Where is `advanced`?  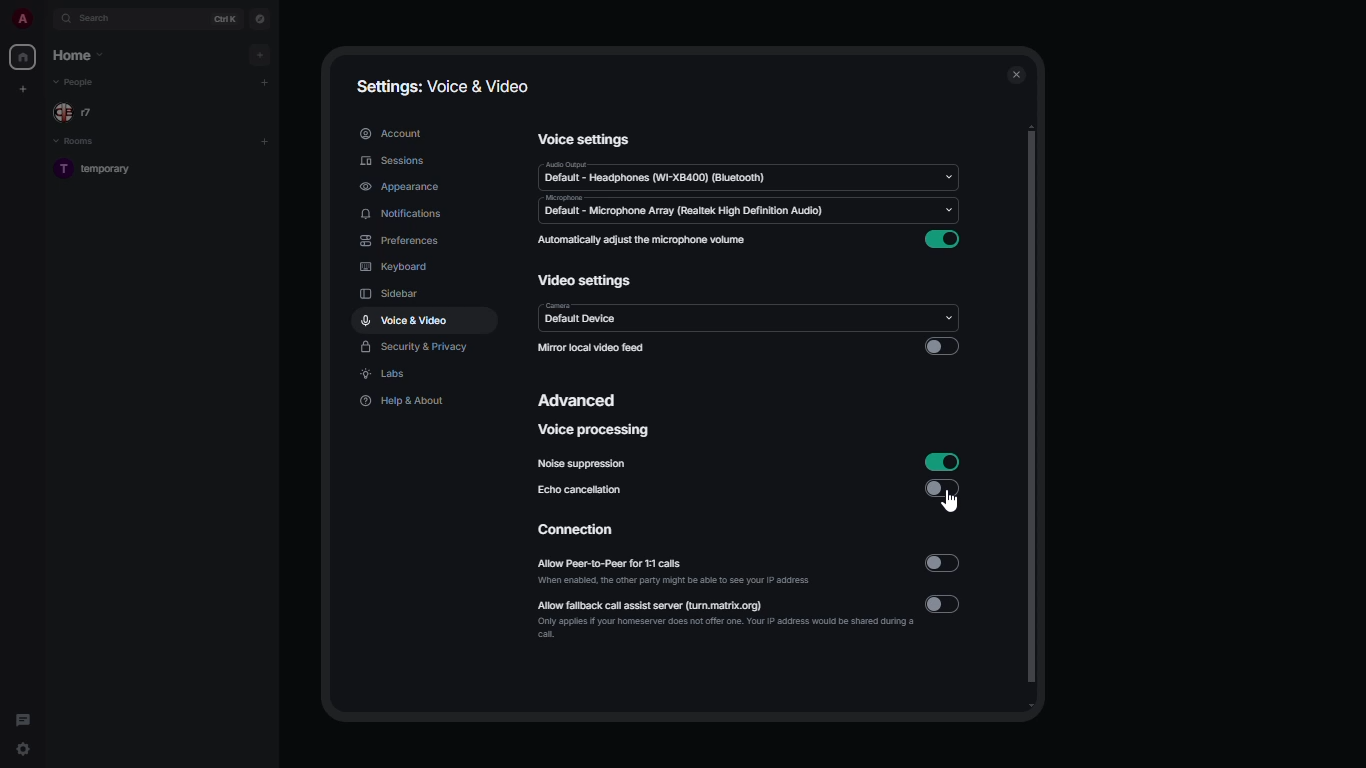 advanced is located at coordinates (582, 398).